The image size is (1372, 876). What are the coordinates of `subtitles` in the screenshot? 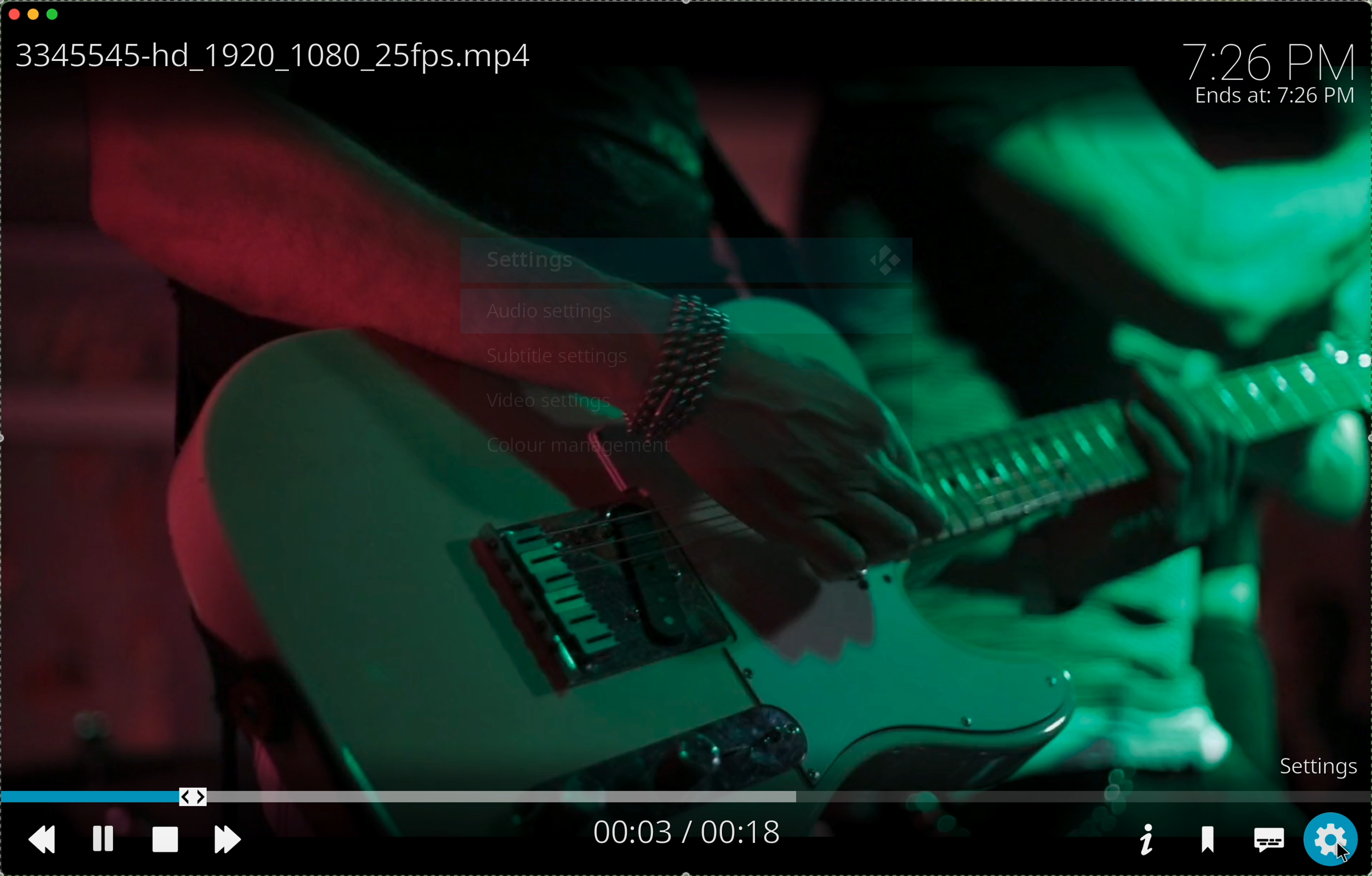 It's located at (1269, 843).